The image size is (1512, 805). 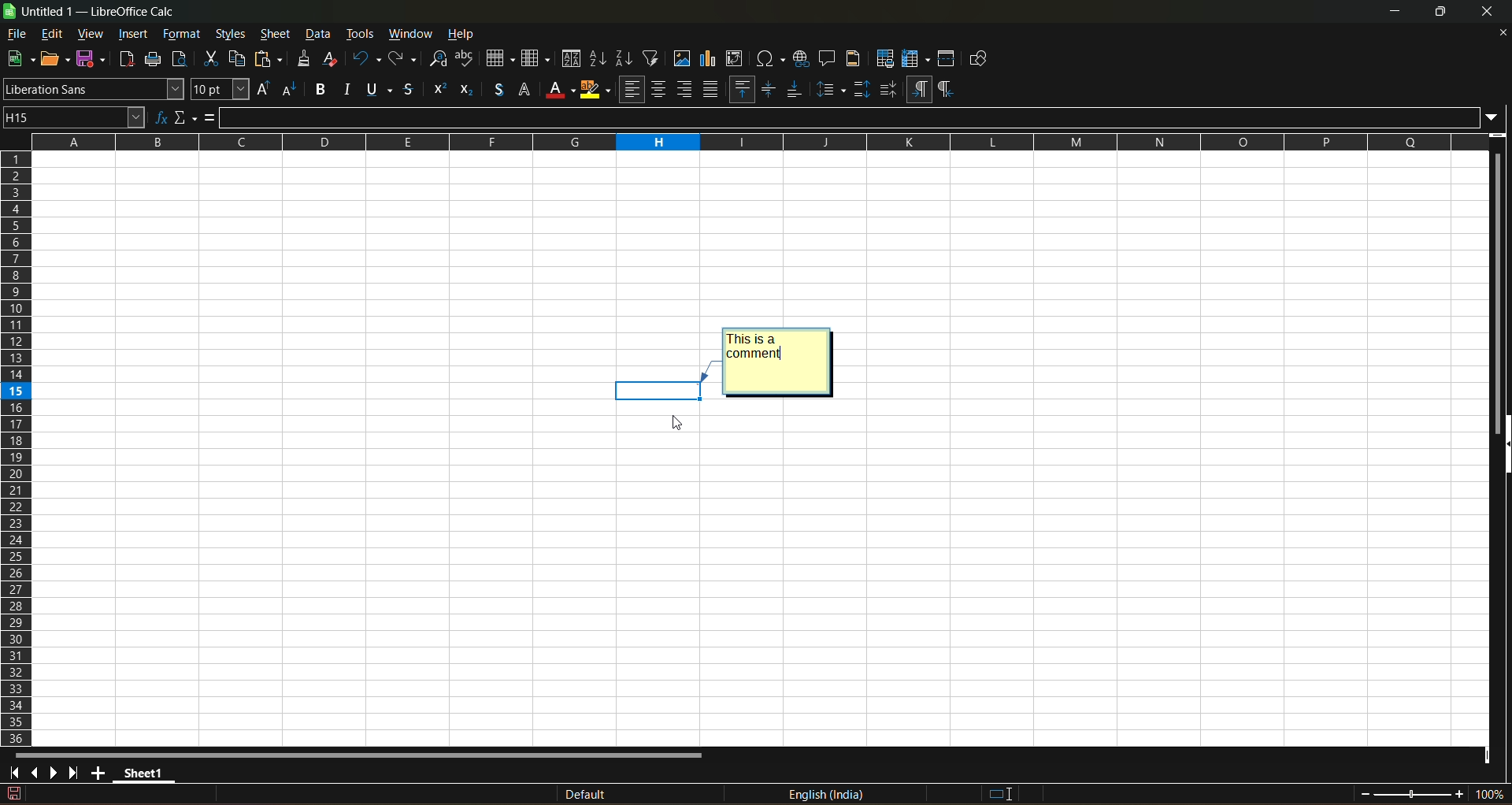 I want to click on font size, so click(x=221, y=89).